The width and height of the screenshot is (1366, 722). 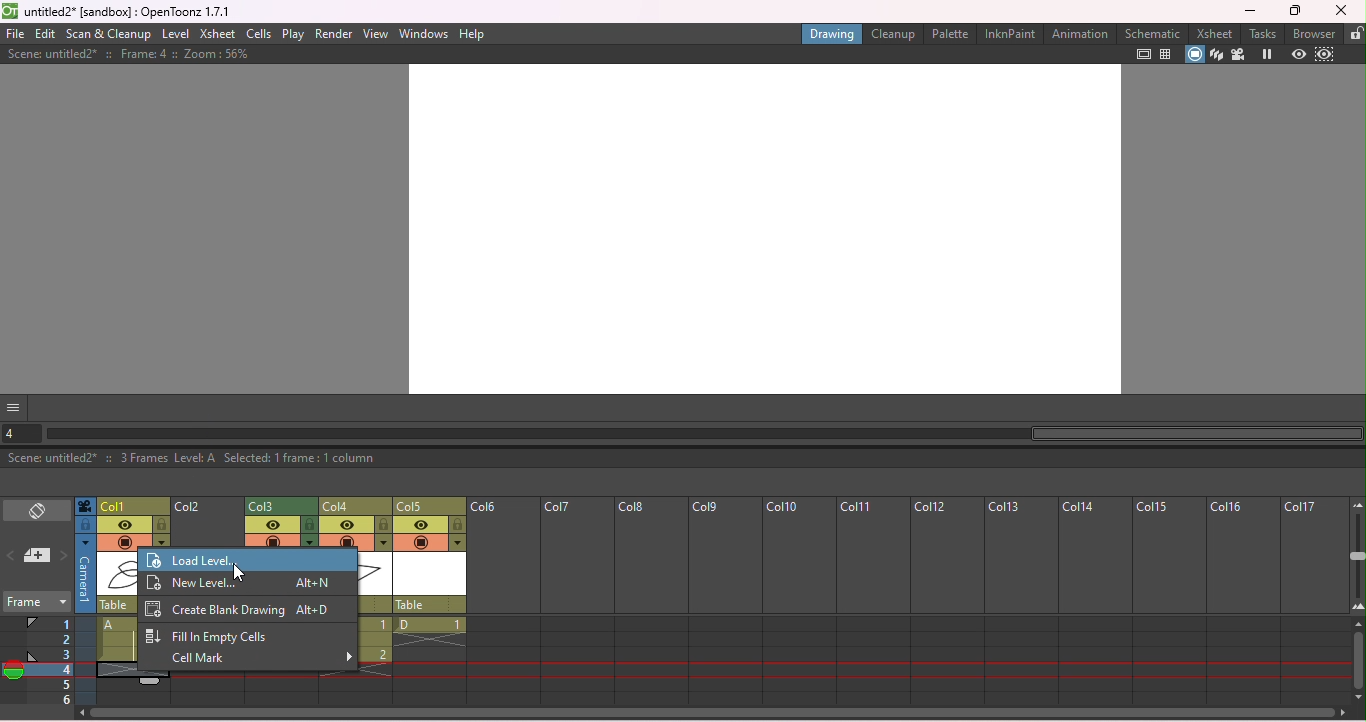 I want to click on Preview visibility toggl, so click(x=273, y=524).